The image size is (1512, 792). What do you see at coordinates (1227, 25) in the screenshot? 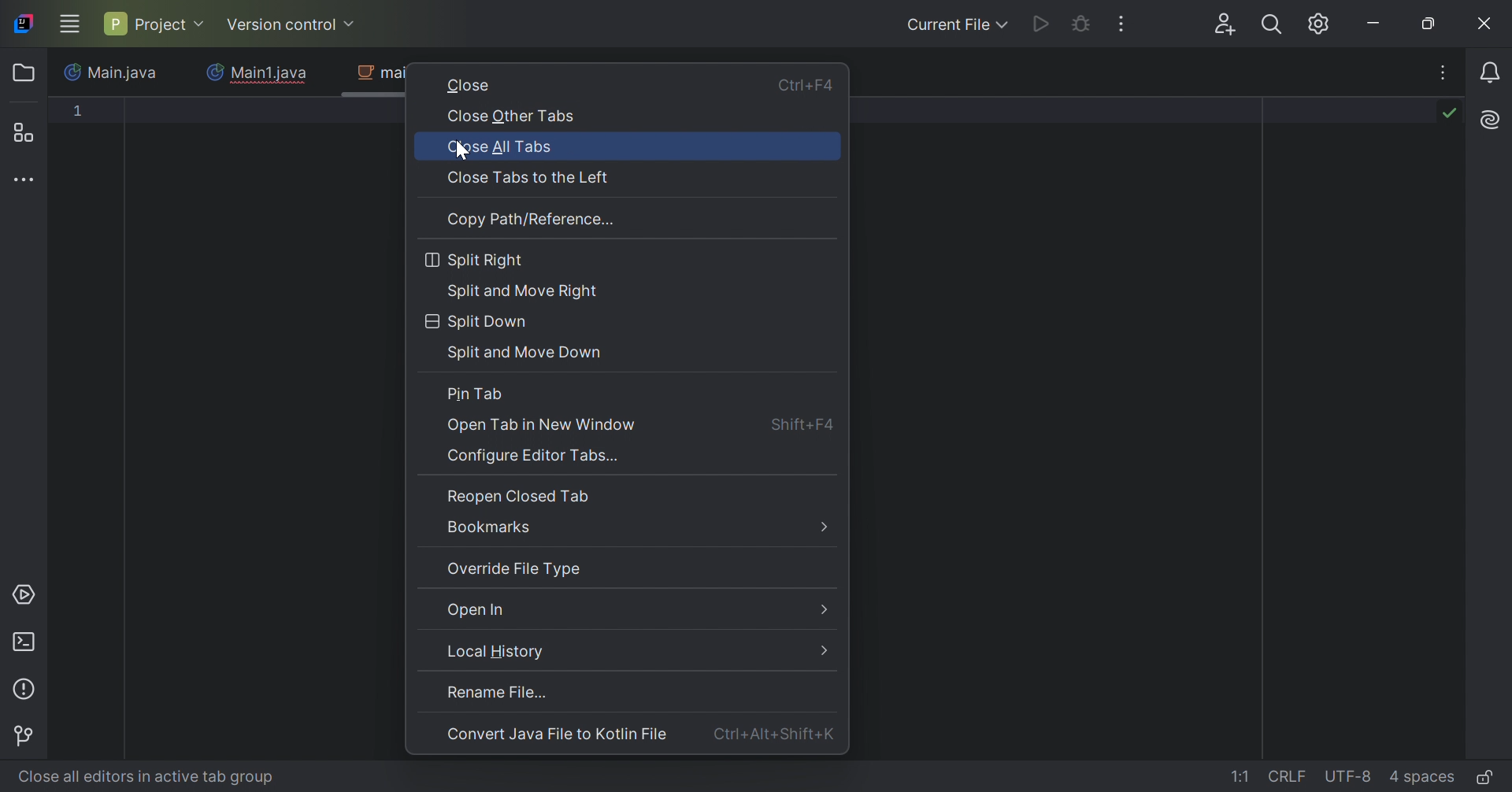
I see `Code with me` at bounding box center [1227, 25].